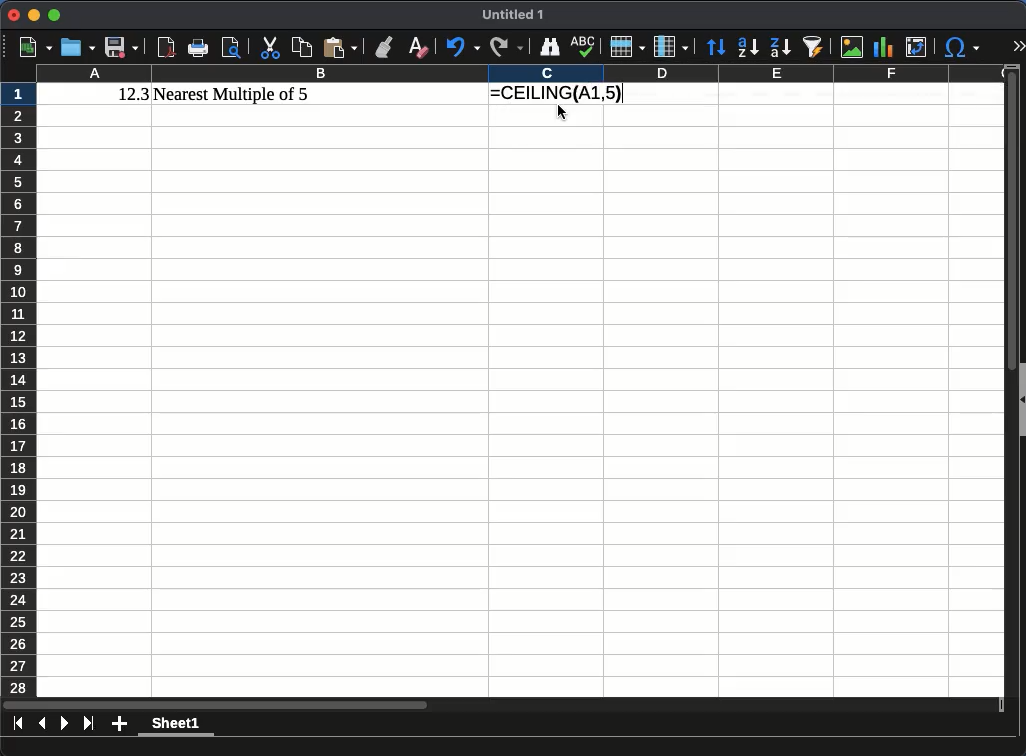  What do you see at coordinates (524, 75) in the screenshot?
I see `column ` at bounding box center [524, 75].